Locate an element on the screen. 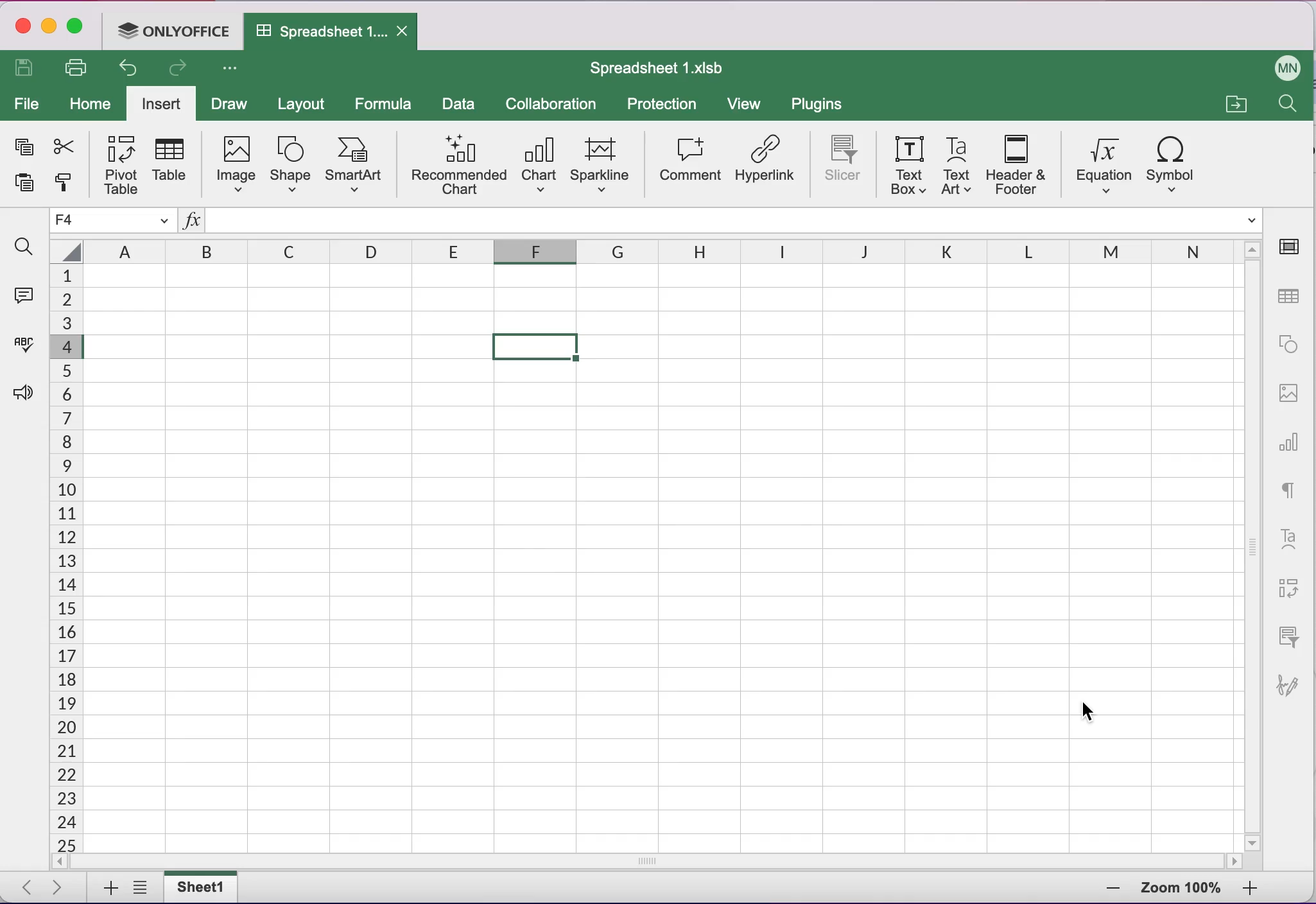 Image resolution: width=1316 pixels, height=904 pixels. columns is located at coordinates (646, 248).